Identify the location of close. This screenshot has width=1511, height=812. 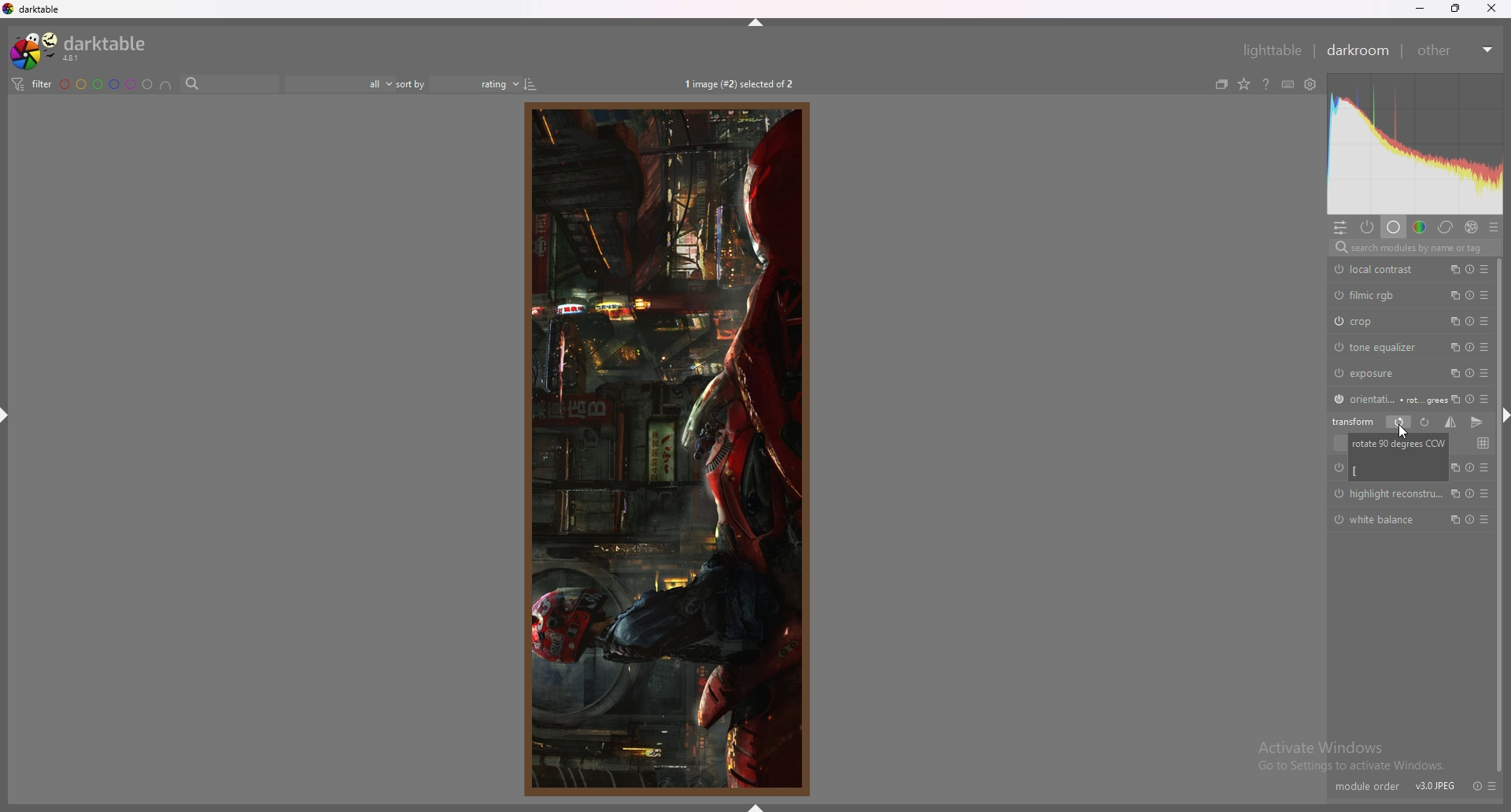
(1491, 9).